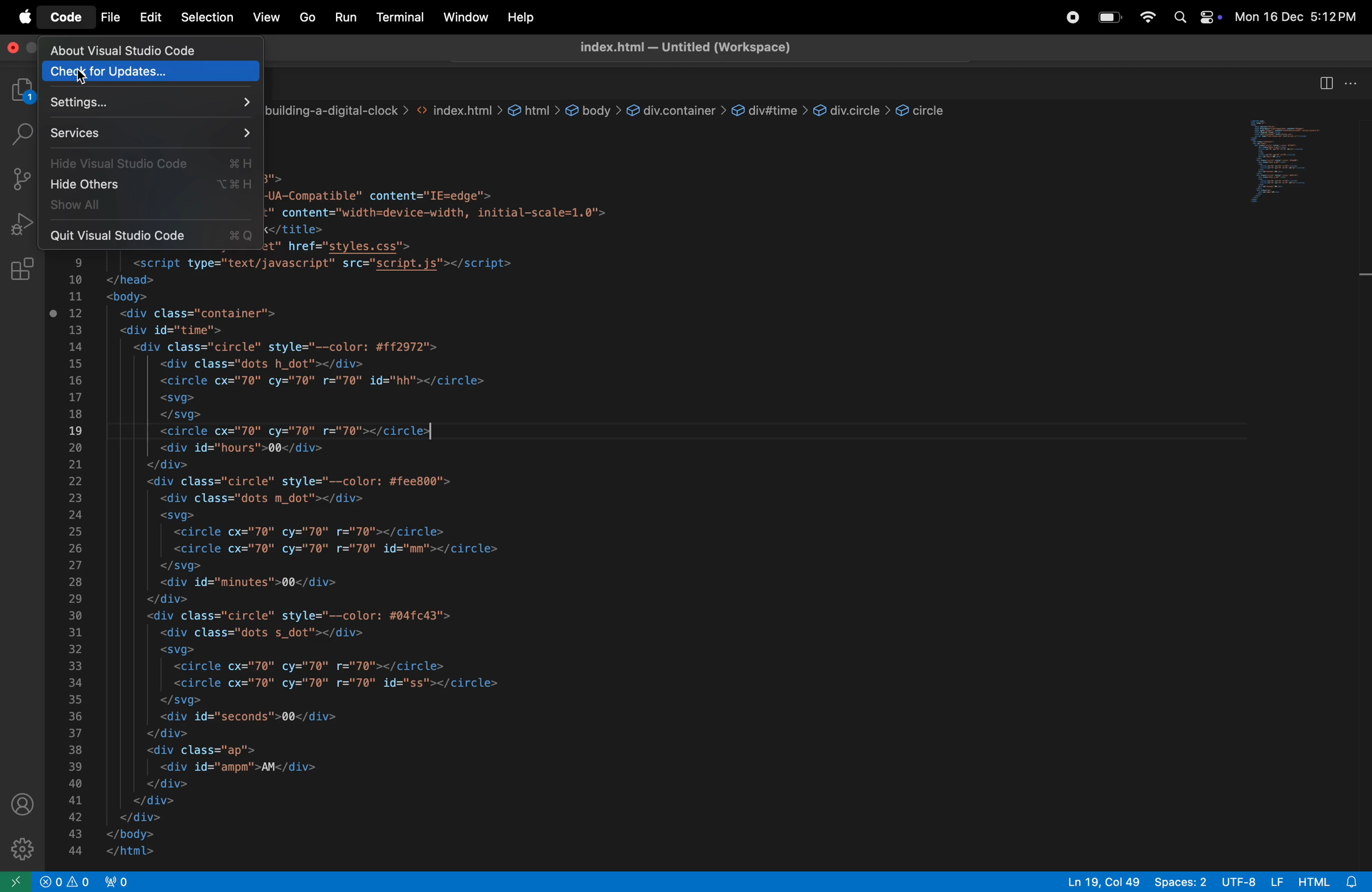 The height and width of the screenshot is (892, 1372). Describe the element at coordinates (341, 682) in the screenshot. I see `<circle cx="70" cy="70" r="70" id="ss"></circle>` at that location.